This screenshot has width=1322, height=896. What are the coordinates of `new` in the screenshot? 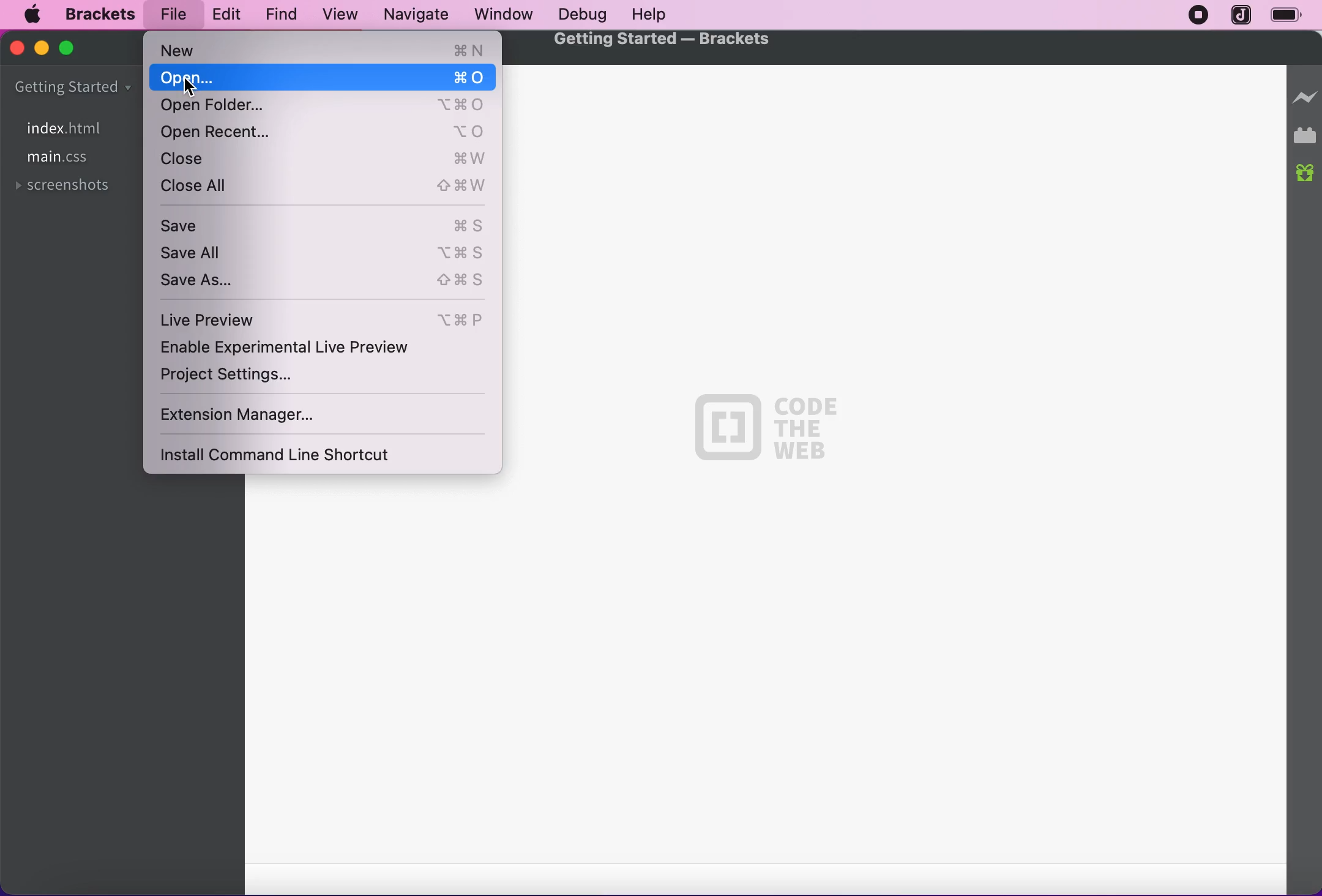 It's located at (327, 50).